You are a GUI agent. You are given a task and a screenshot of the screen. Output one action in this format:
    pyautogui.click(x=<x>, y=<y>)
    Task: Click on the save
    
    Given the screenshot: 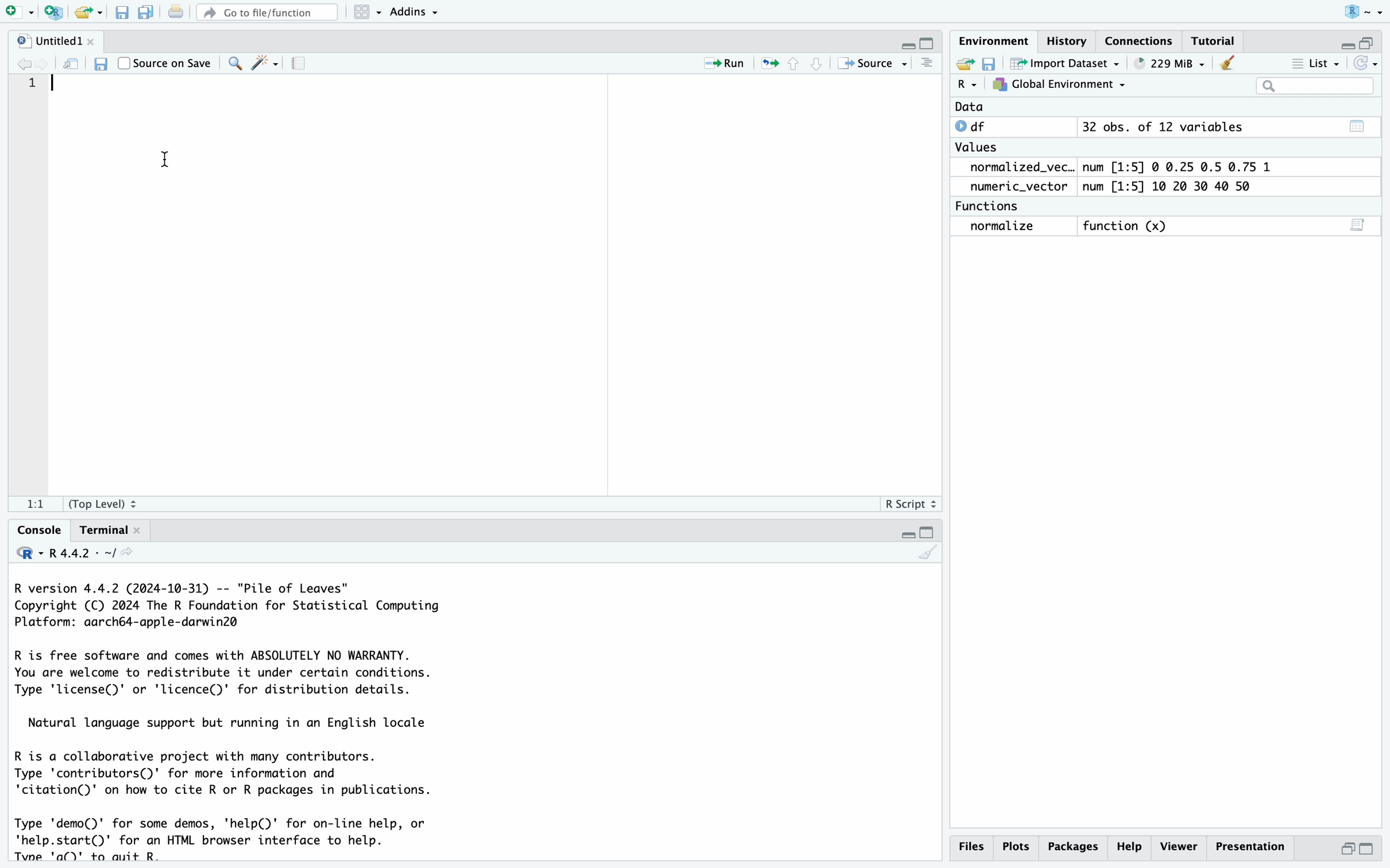 What is the action you would take?
    pyautogui.click(x=122, y=14)
    